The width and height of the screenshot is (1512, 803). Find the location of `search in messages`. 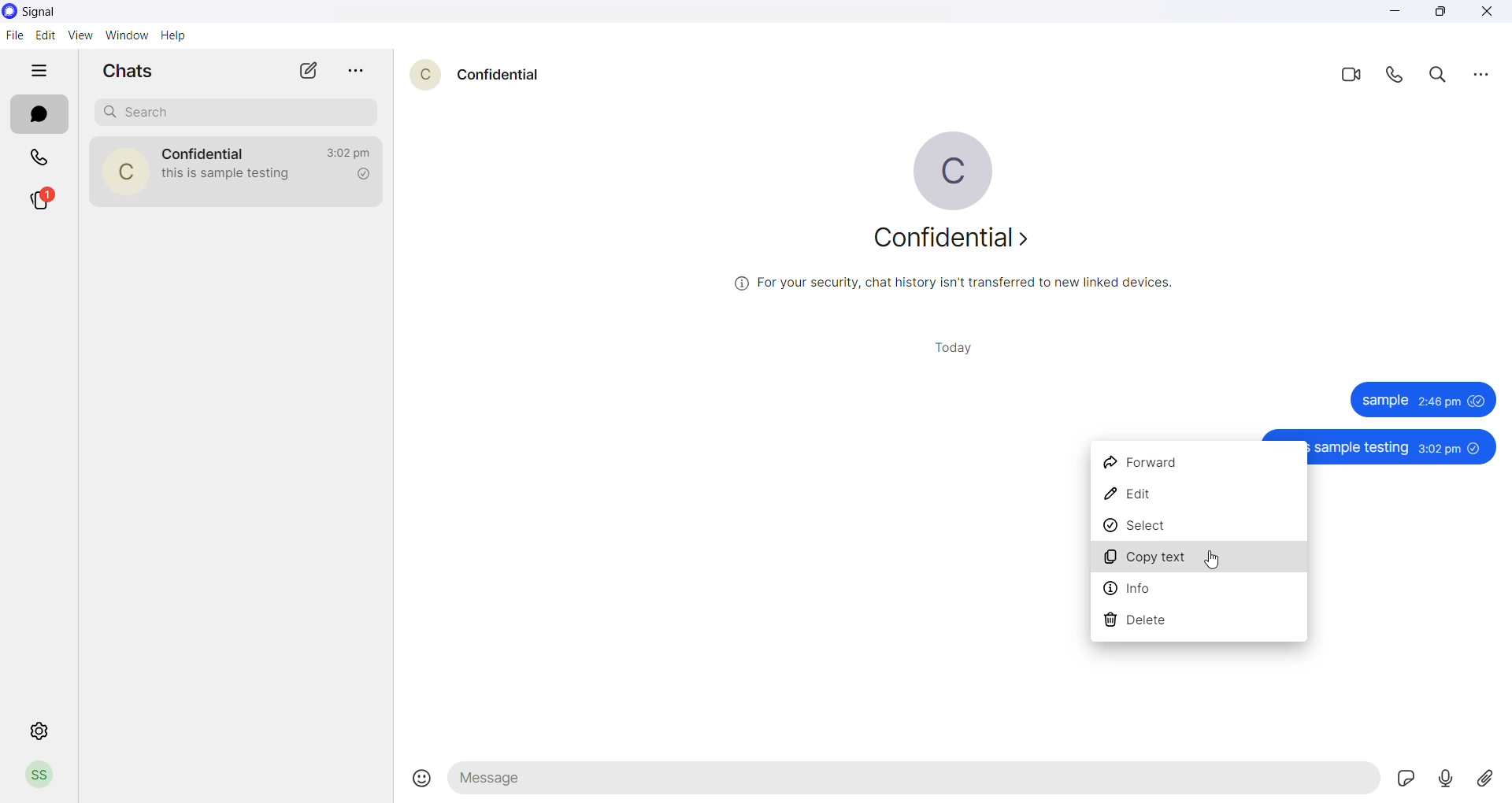

search in messages is located at coordinates (1440, 79).